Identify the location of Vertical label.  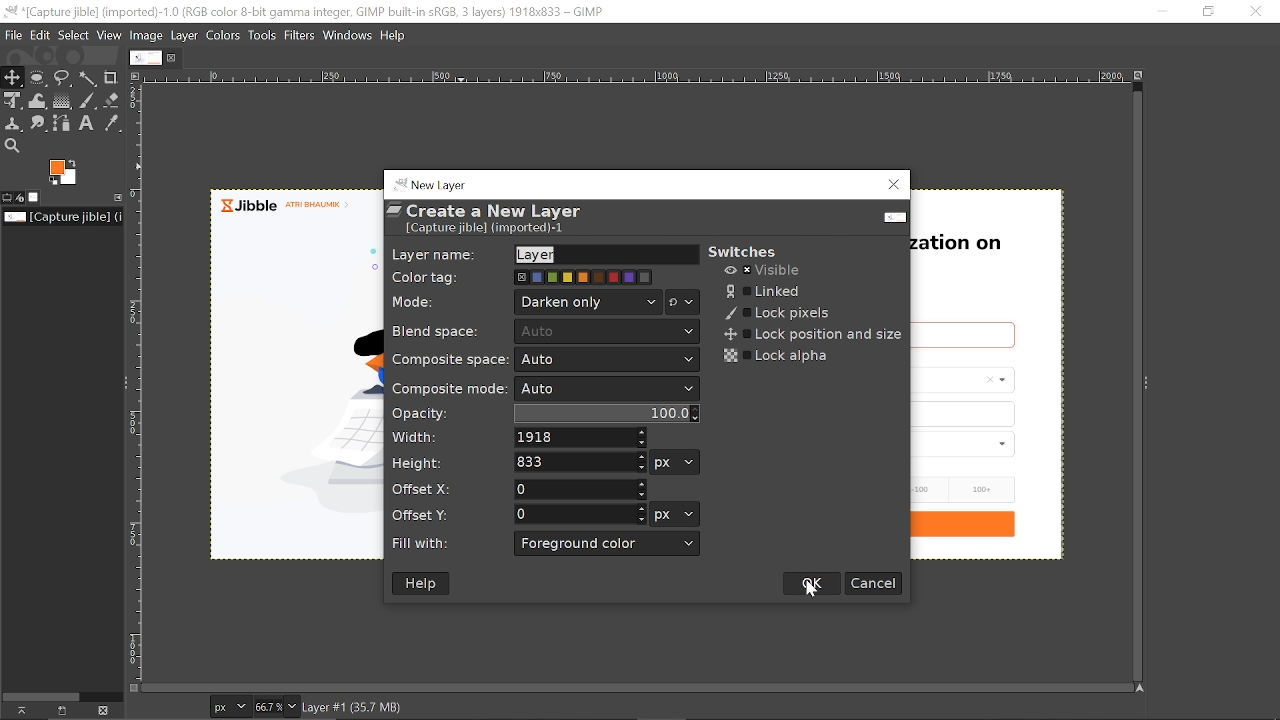
(136, 384).